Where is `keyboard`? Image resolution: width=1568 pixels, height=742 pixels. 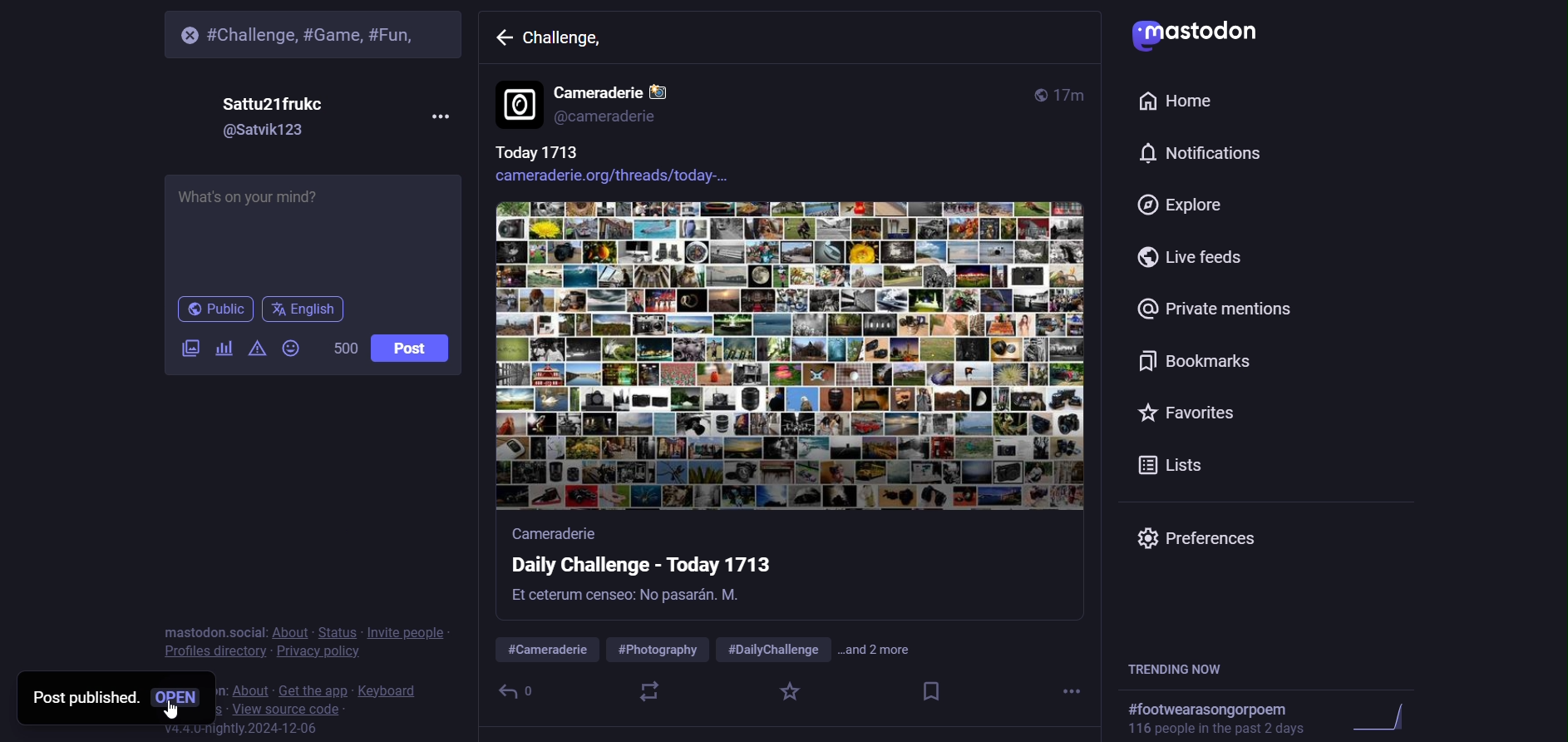 keyboard is located at coordinates (392, 688).